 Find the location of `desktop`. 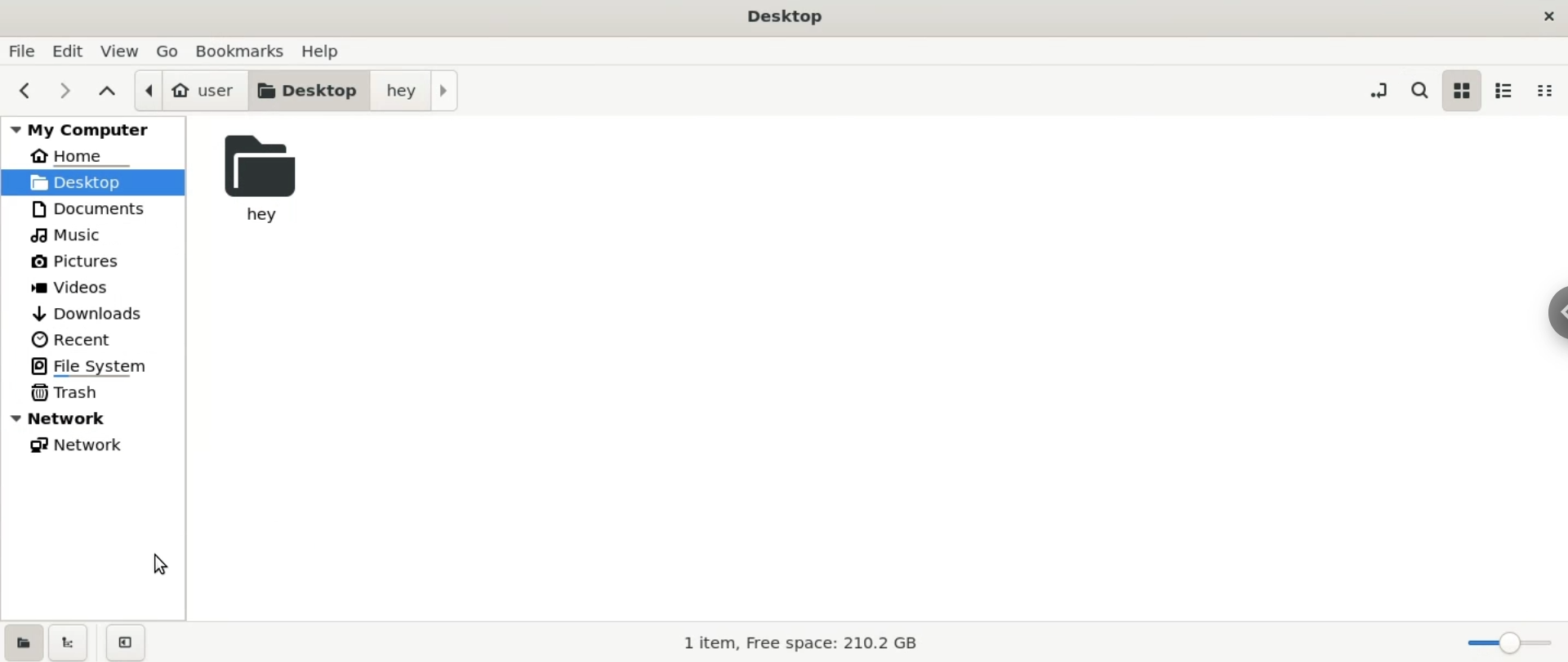

desktop is located at coordinates (790, 17).